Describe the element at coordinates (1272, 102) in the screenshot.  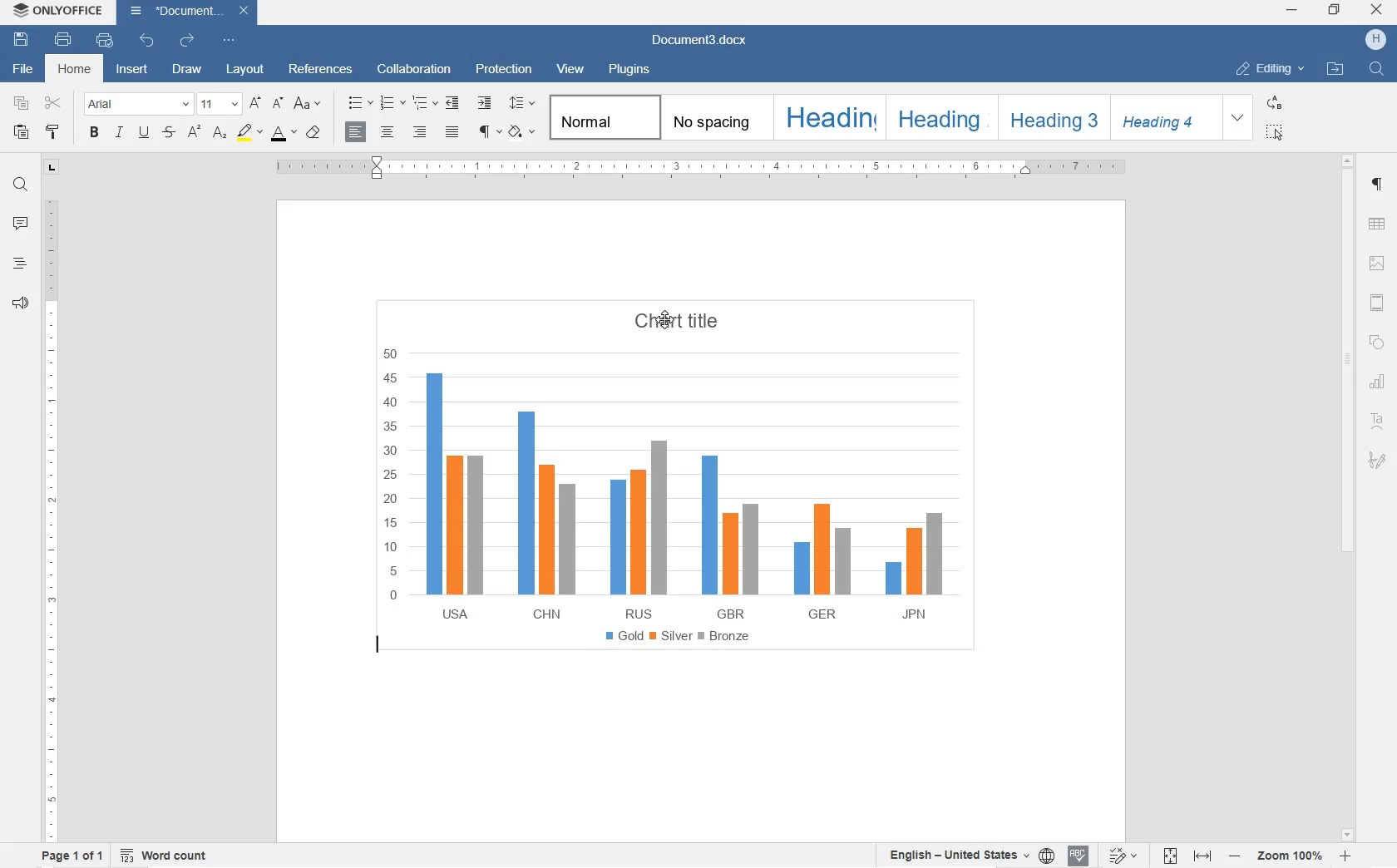
I see `REPLACE` at that location.